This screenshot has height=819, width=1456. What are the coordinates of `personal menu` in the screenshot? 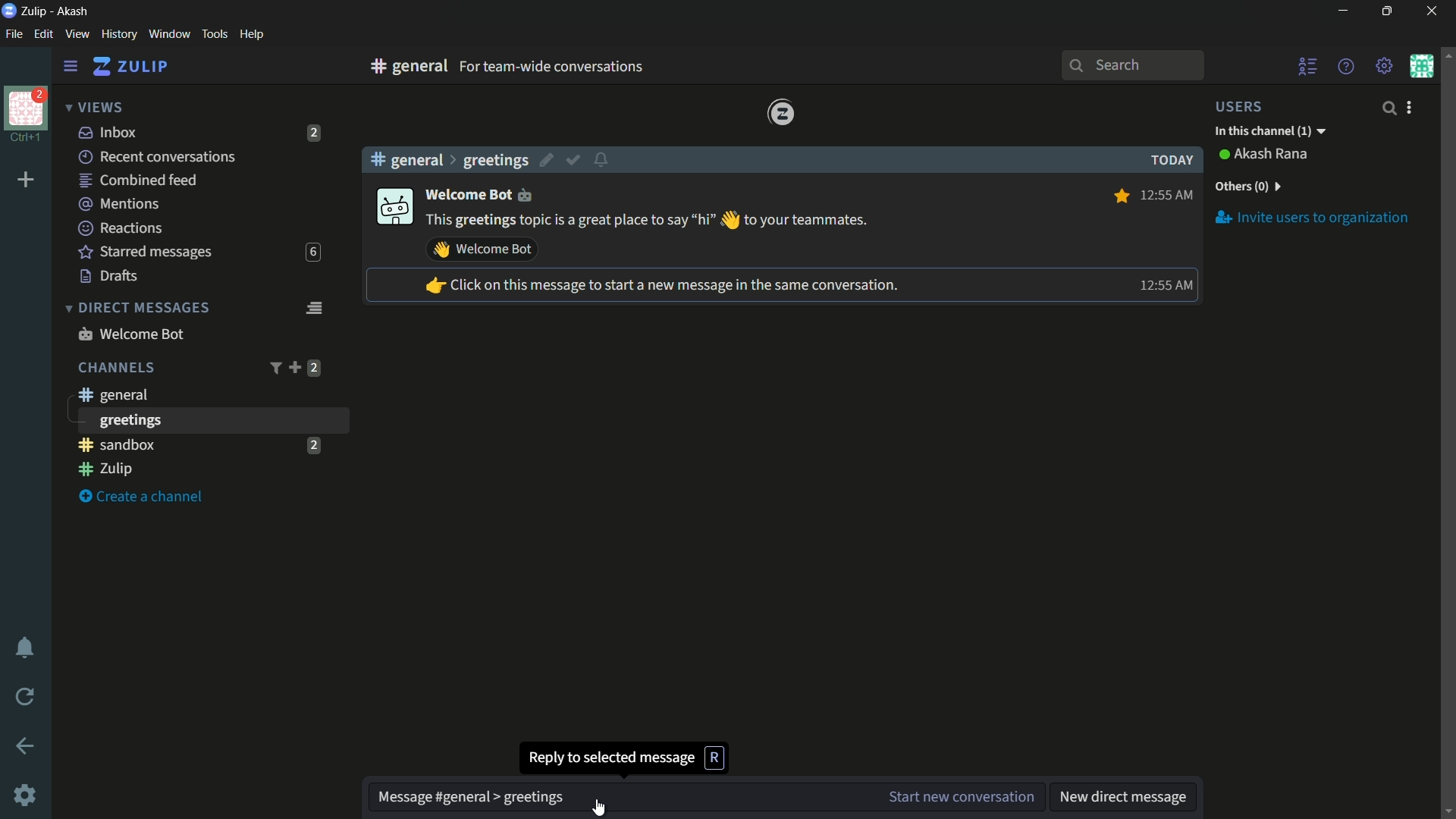 It's located at (1421, 66).